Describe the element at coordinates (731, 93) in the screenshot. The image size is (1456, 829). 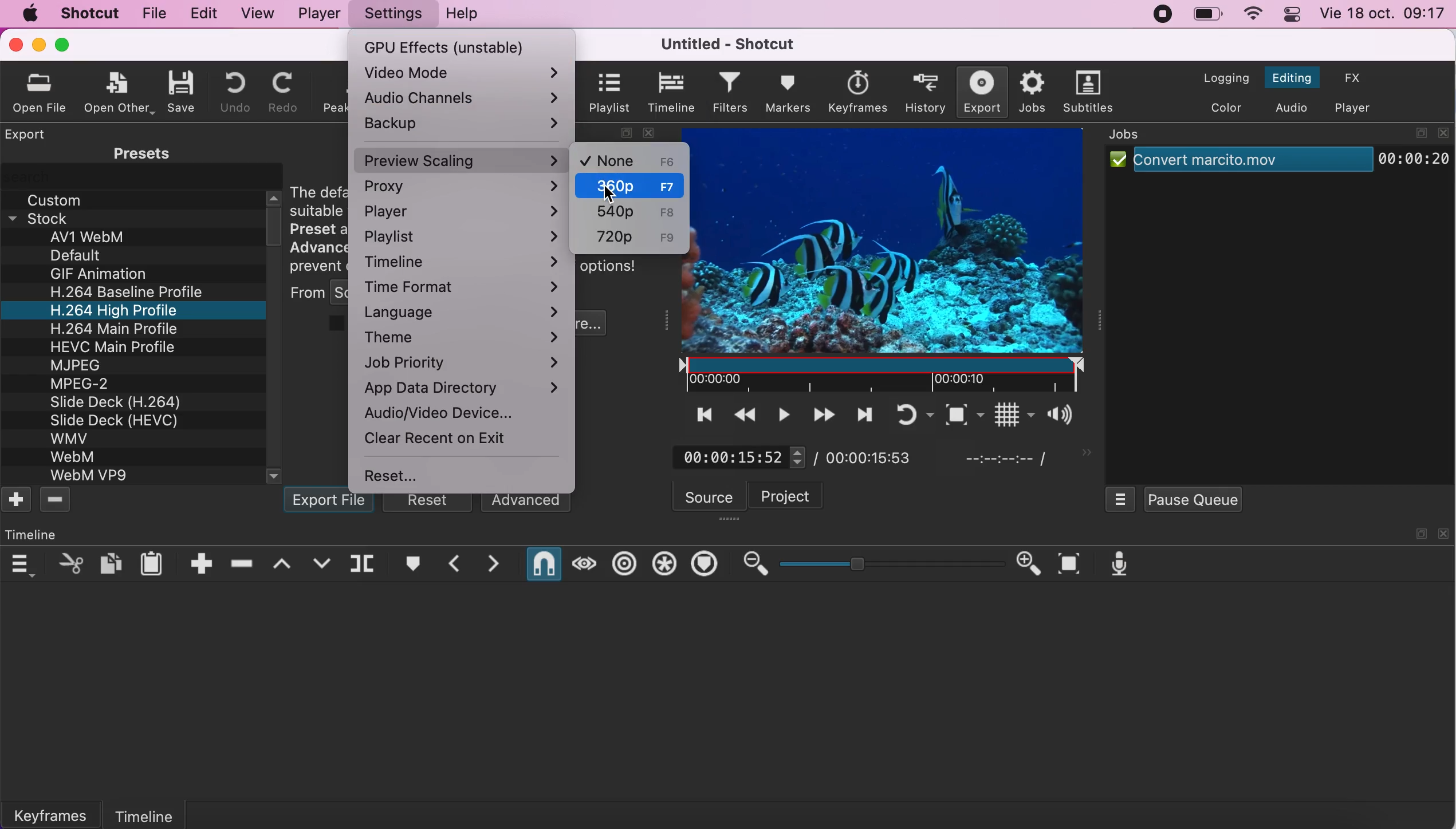
I see `filters` at that location.